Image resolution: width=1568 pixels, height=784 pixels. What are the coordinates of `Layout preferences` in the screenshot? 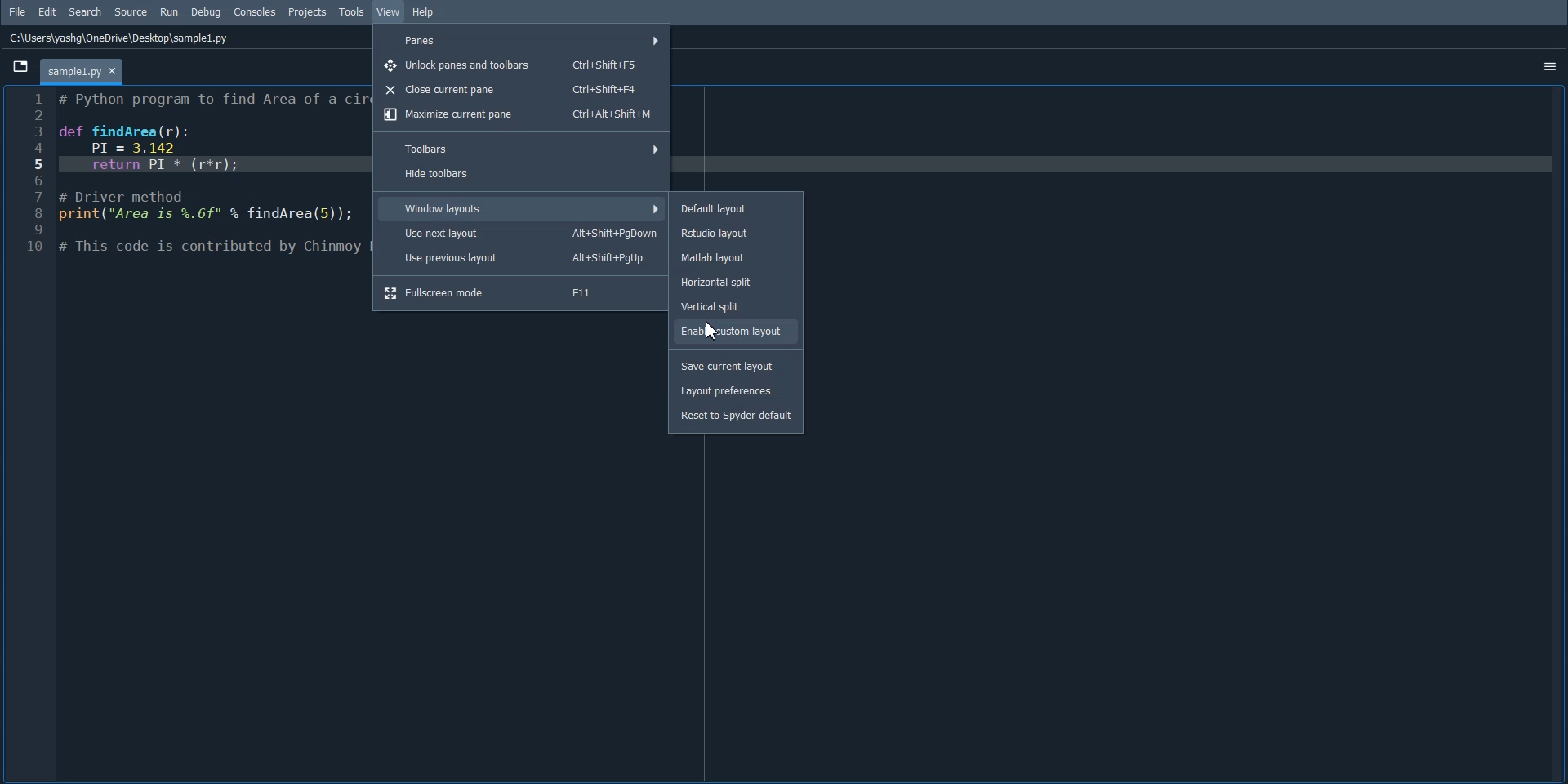 It's located at (737, 391).